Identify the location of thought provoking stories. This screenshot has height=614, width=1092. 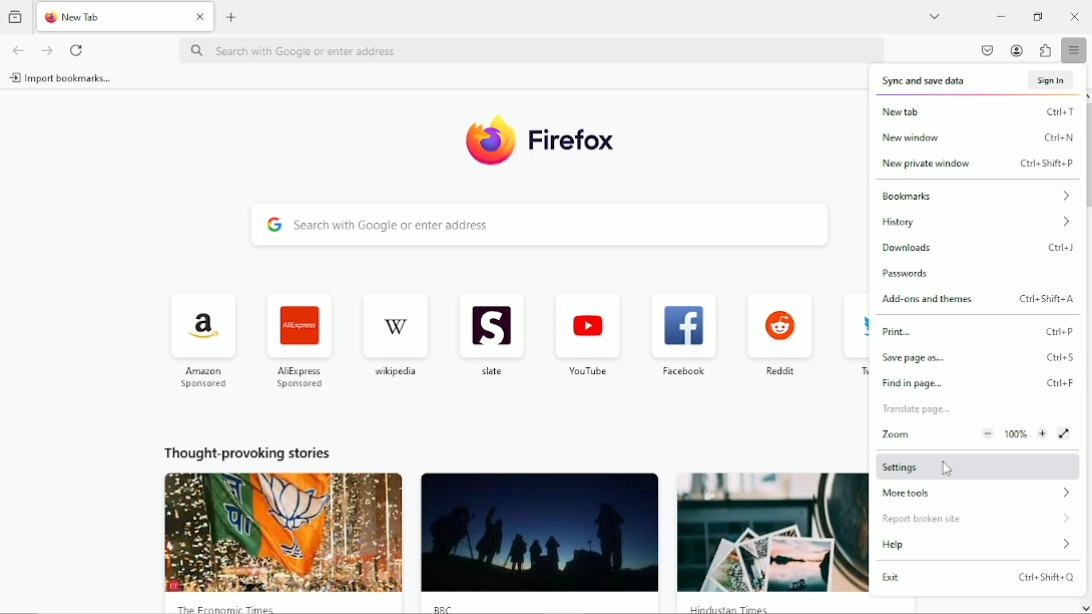
(240, 451).